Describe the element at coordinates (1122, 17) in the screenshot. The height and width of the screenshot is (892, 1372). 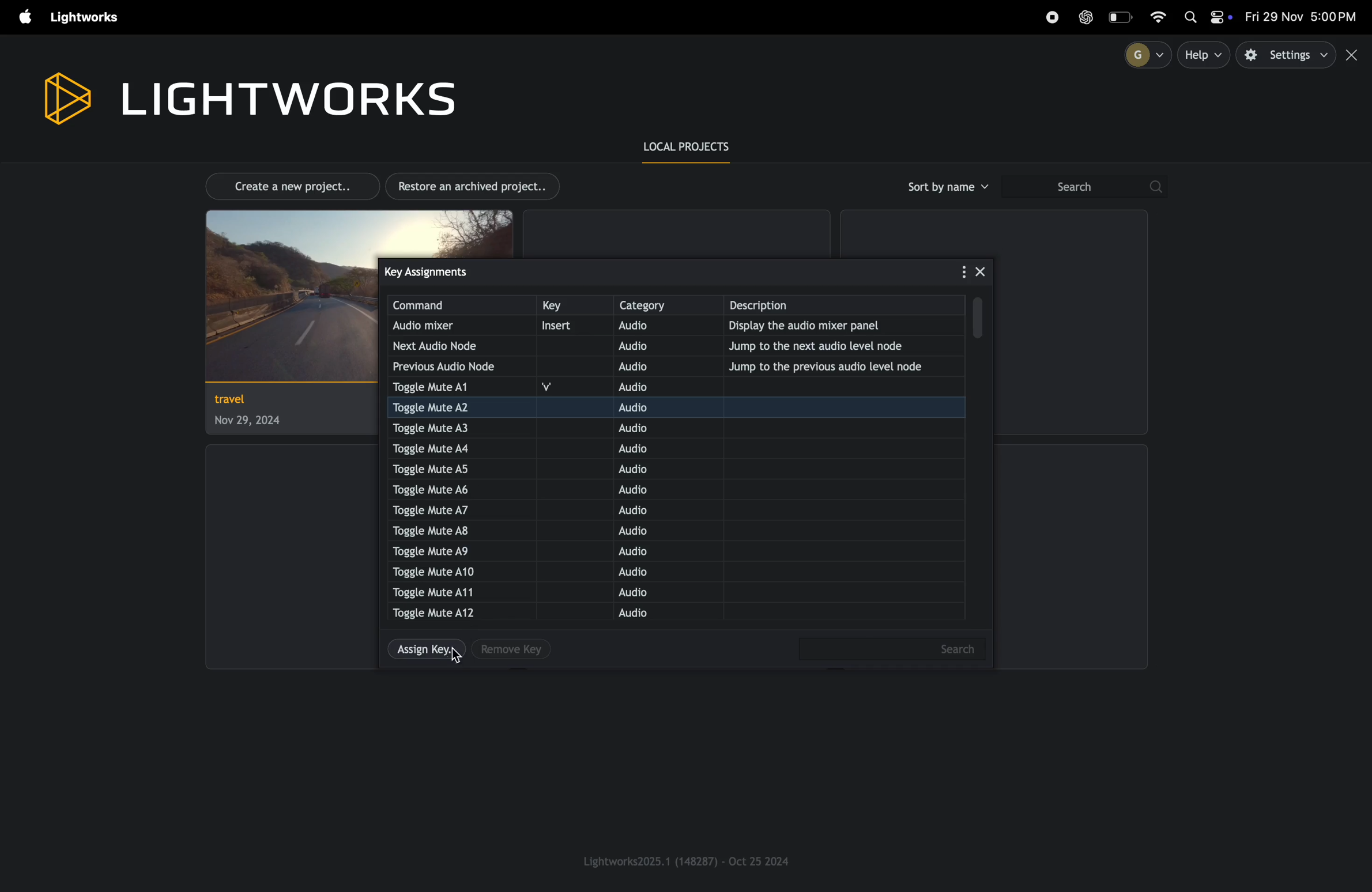
I see `battery` at that location.